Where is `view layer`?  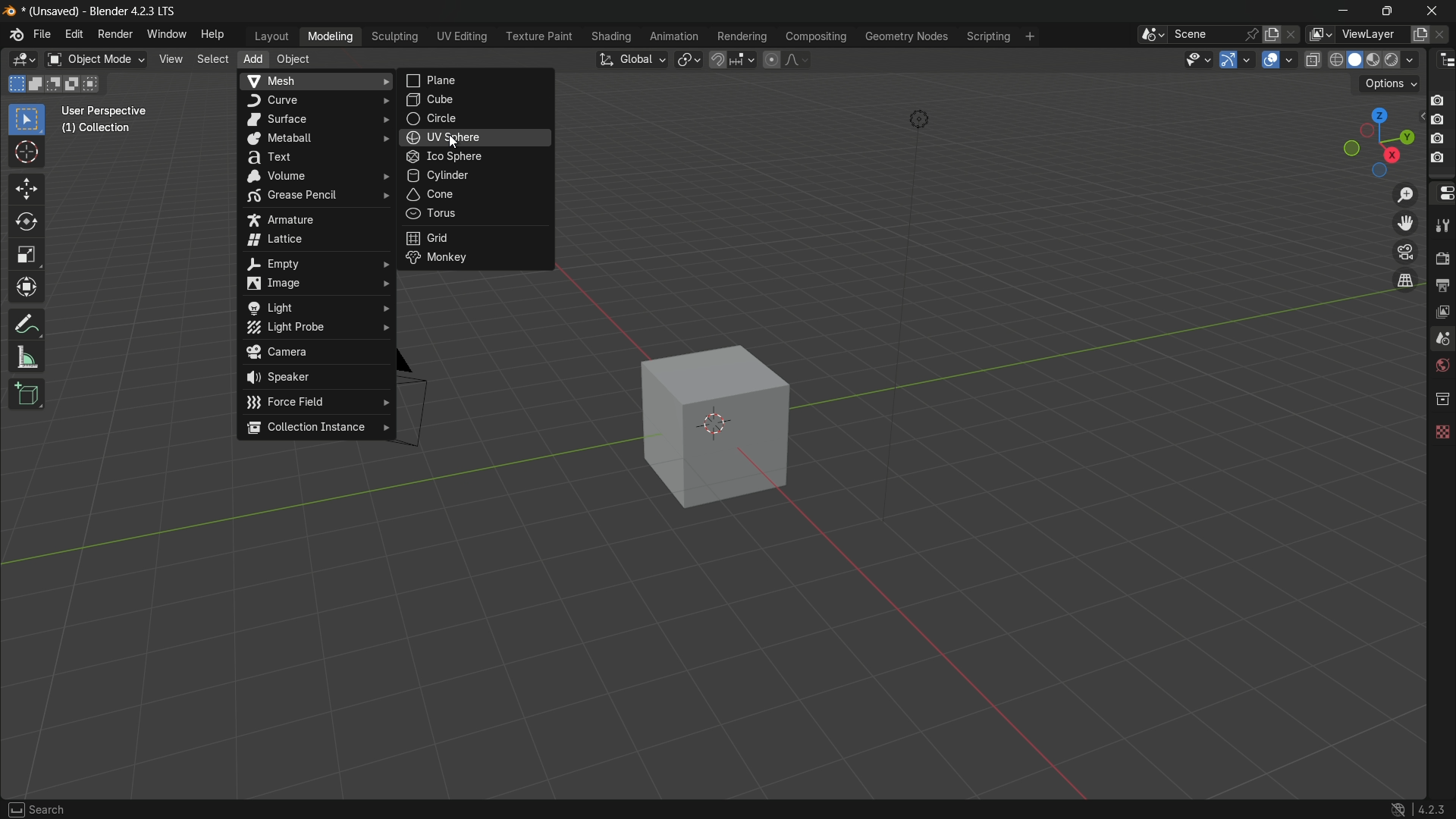 view layer is located at coordinates (1443, 312).